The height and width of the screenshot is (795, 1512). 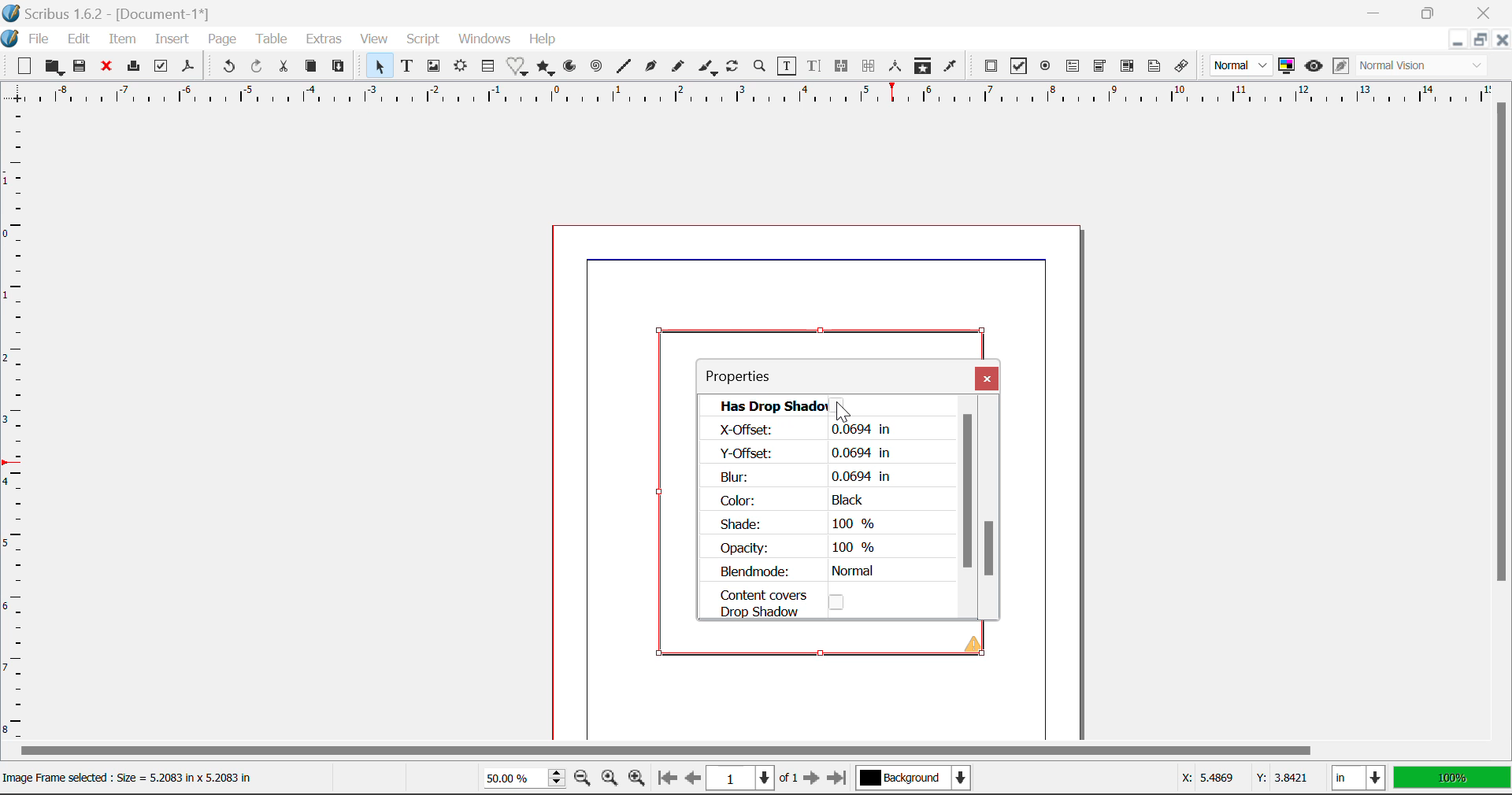 I want to click on Edit Text with Story Editor, so click(x=816, y=68).